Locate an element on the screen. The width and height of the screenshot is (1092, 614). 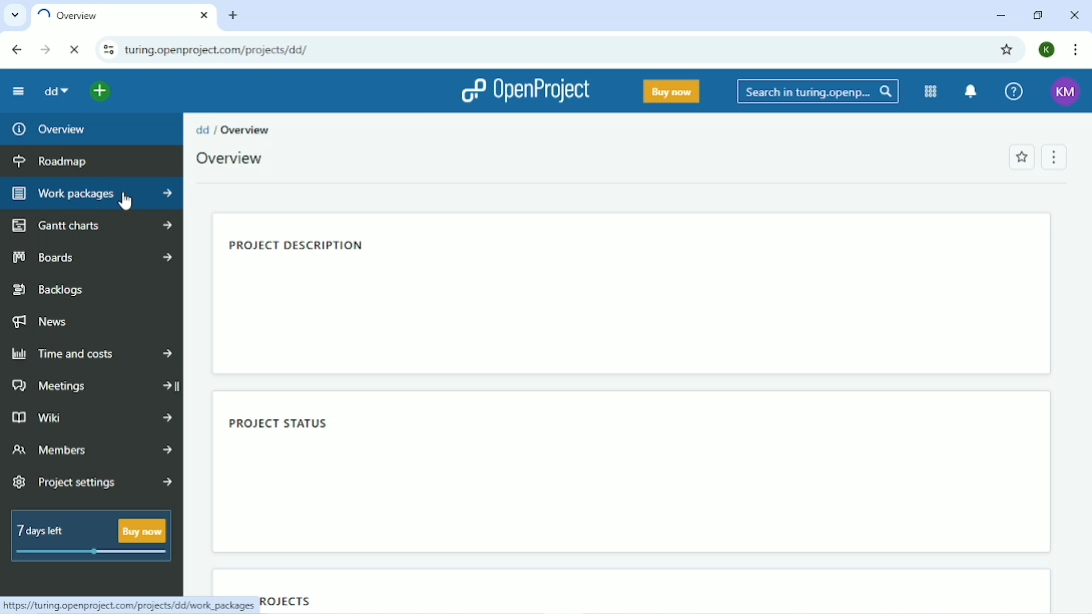
Site is located at coordinates (220, 49).